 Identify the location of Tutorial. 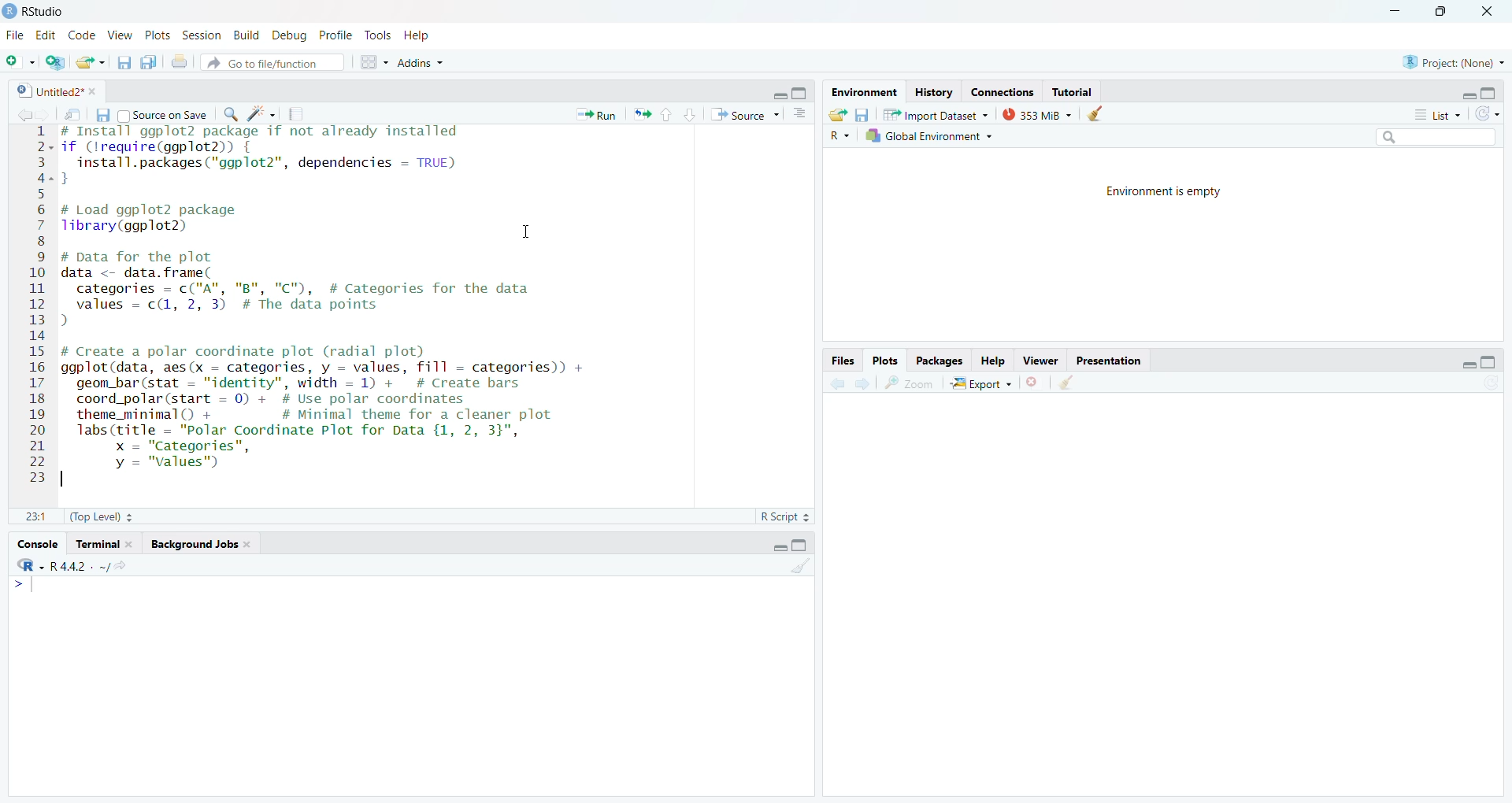
(1071, 91).